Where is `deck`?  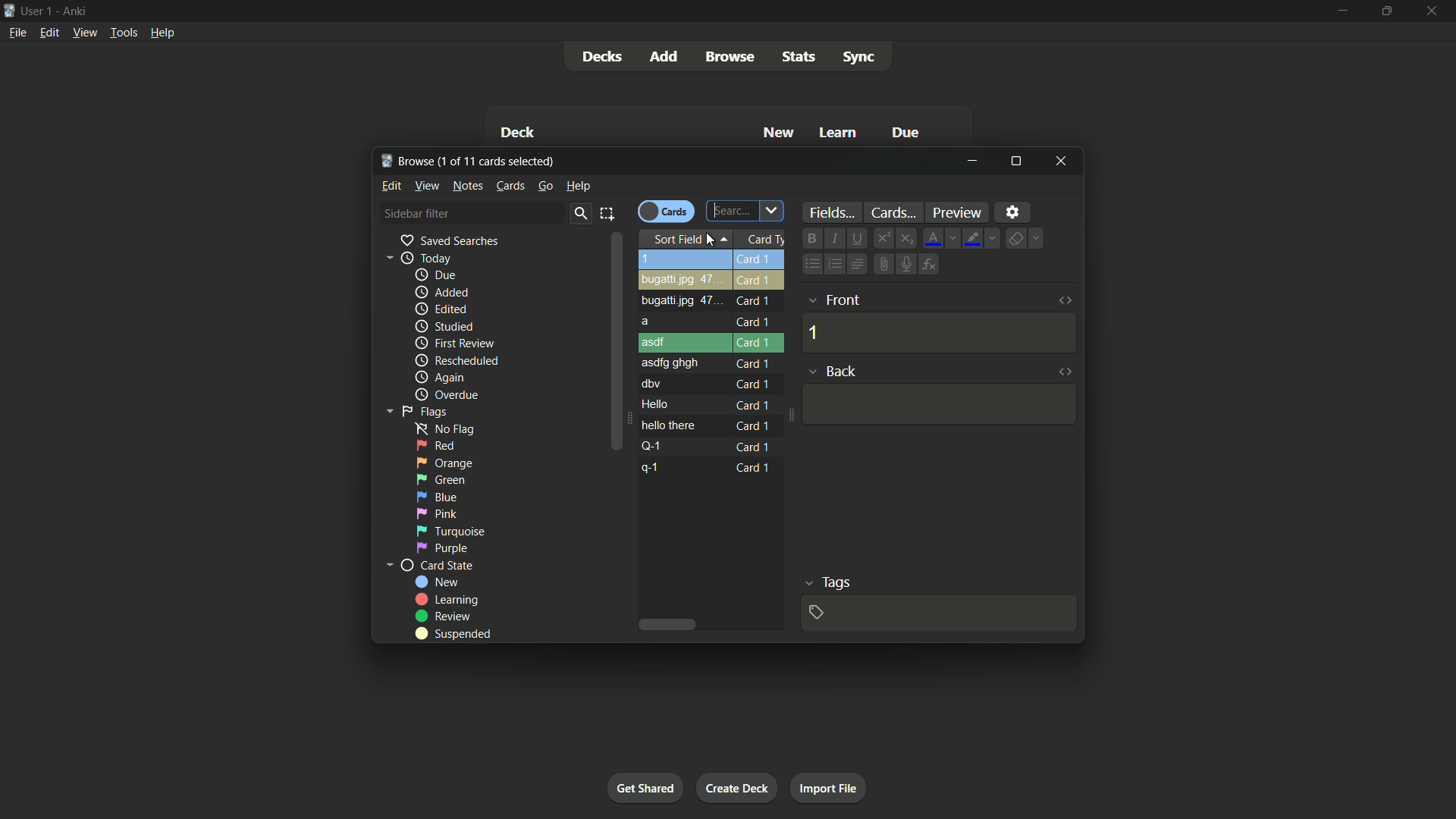
deck is located at coordinates (518, 132).